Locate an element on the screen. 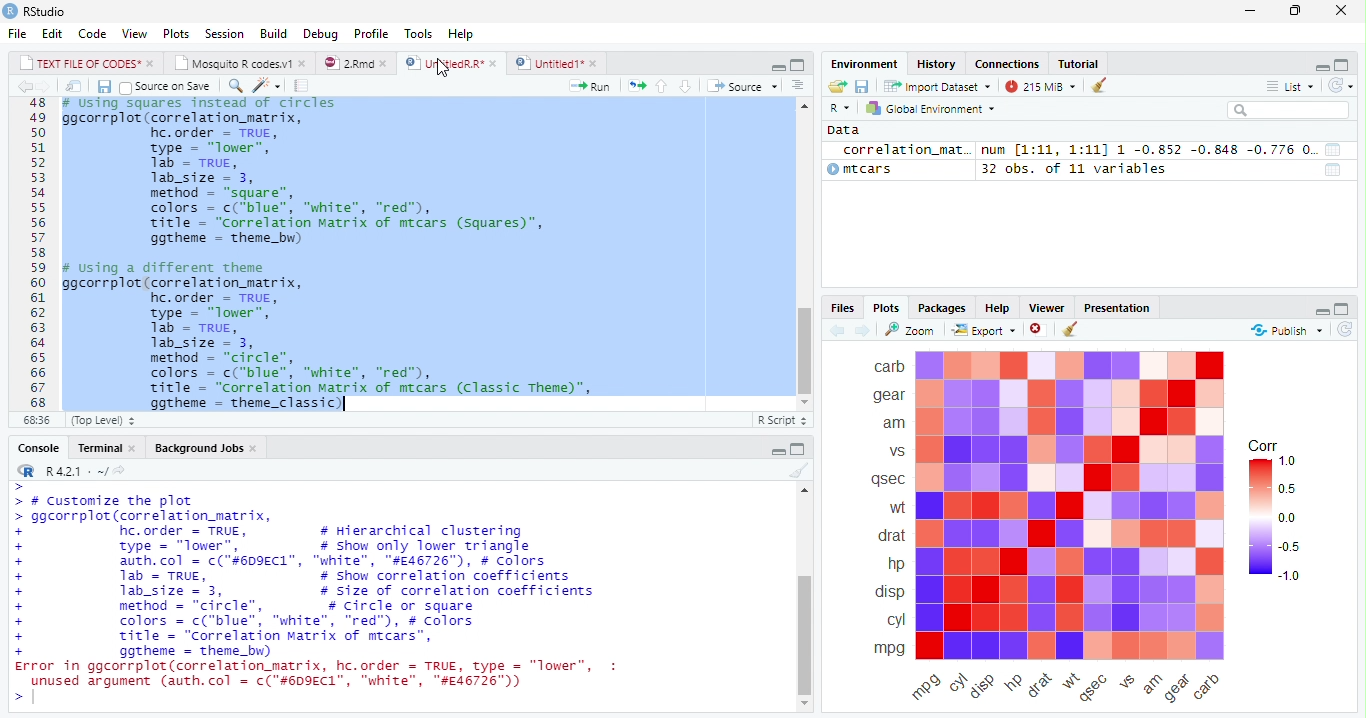 The width and height of the screenshot is (1366, 718). clear console is located at coordinates (800, 471).